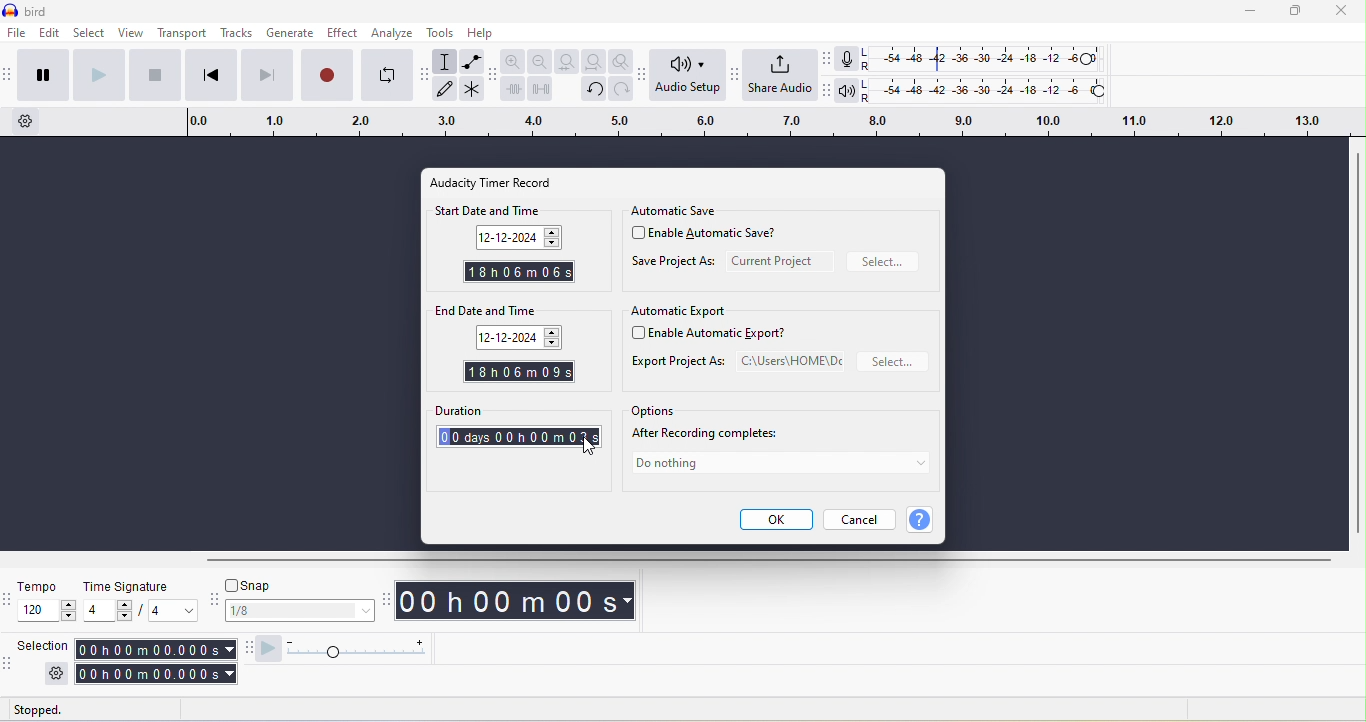  I want to click on audacity play at speed toolbar, so click(269, 648).